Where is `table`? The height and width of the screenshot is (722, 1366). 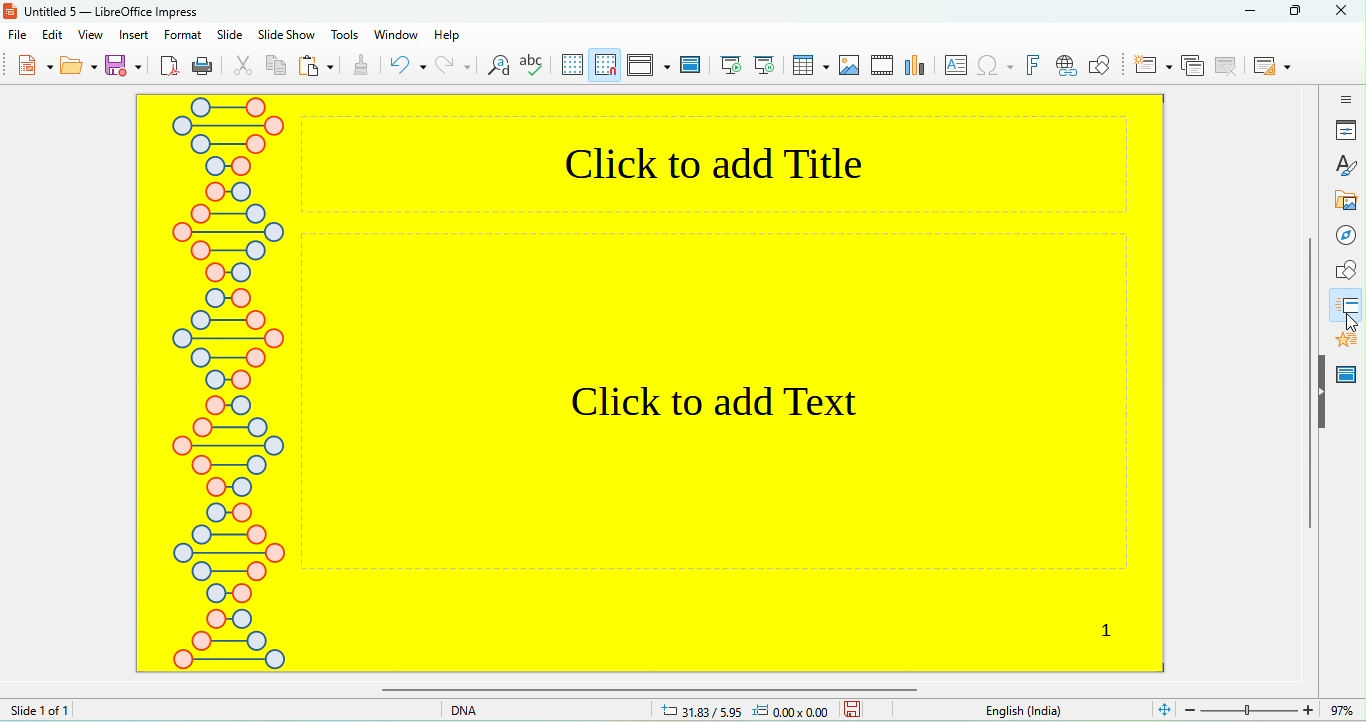
table is located at coordinates (809, 67).